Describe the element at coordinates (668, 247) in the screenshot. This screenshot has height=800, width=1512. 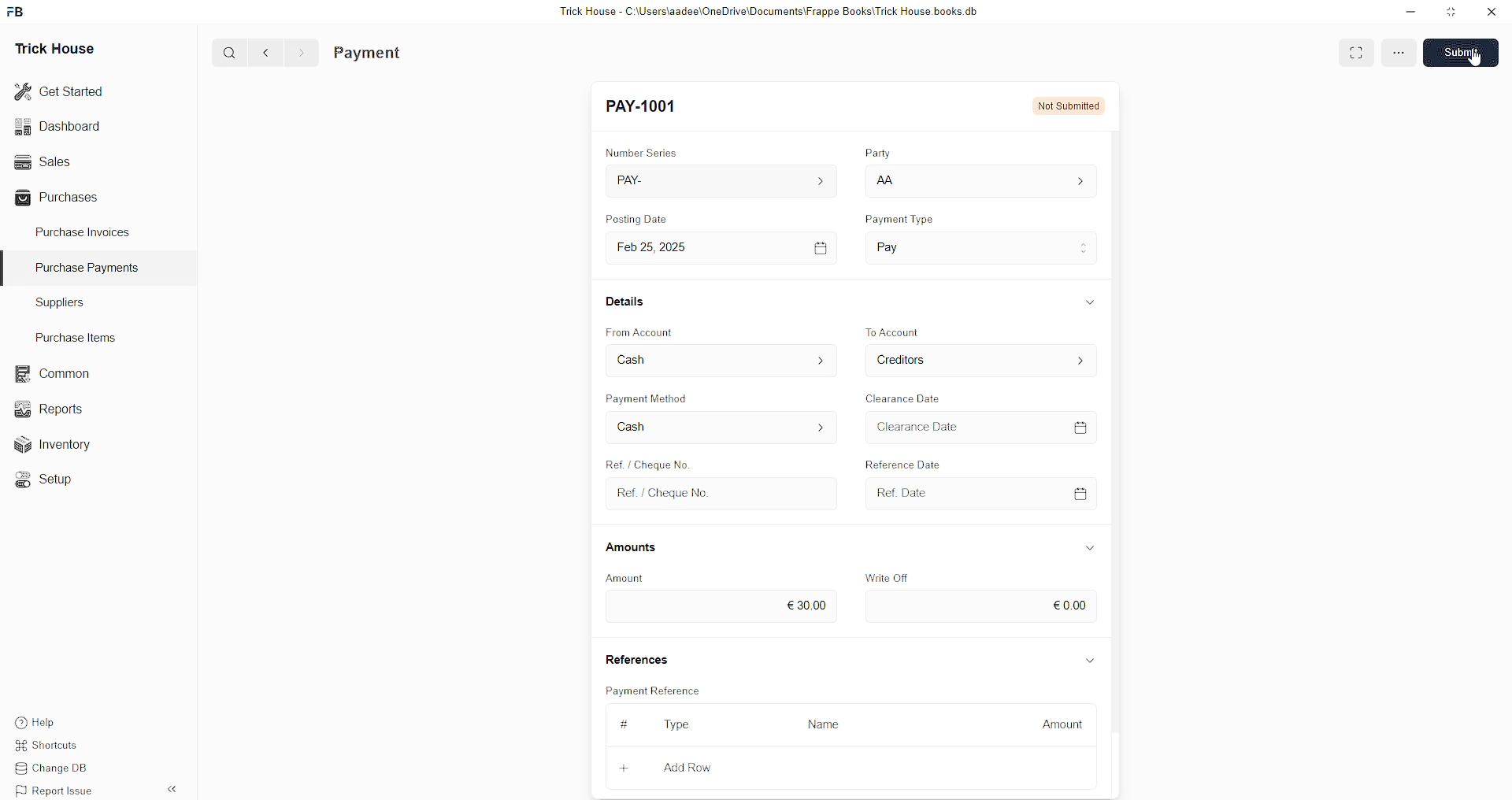
I see `Feb 25,2025` at that location.